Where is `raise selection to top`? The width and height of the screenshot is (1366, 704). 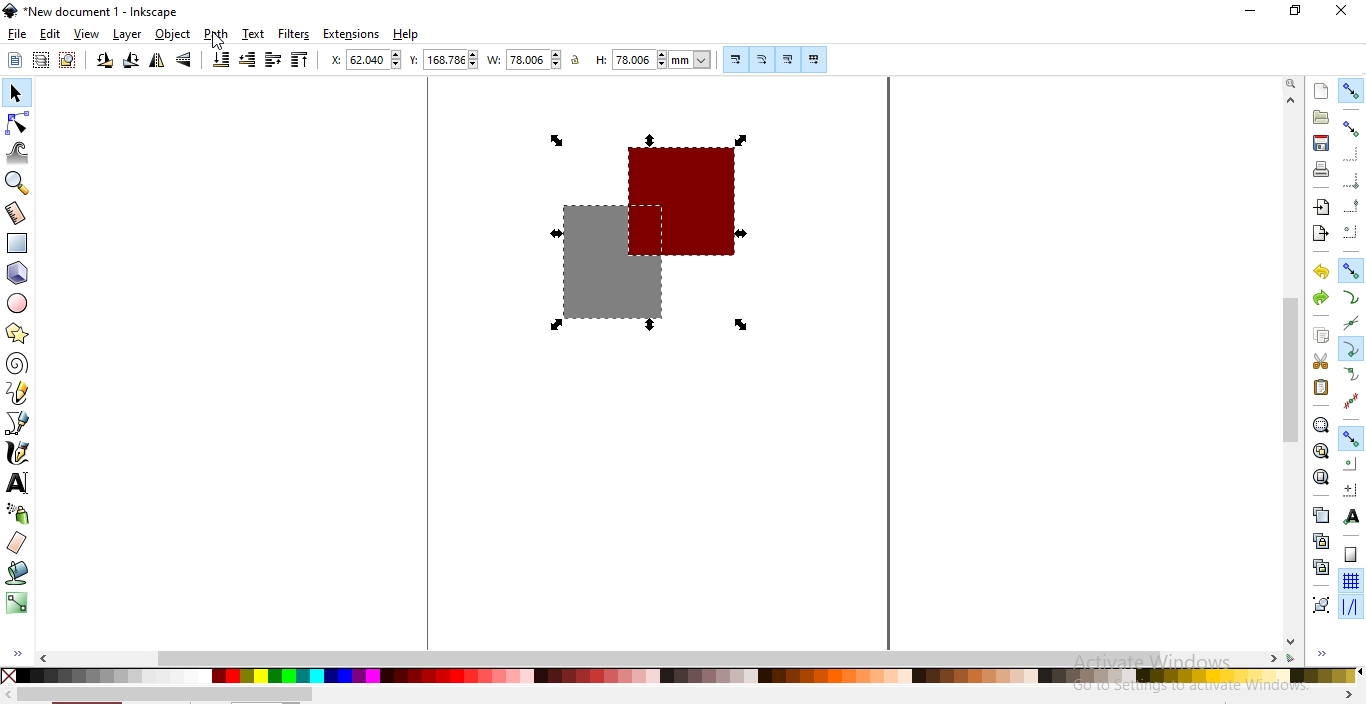
raise selection to top is located at coordinates (300, 62).